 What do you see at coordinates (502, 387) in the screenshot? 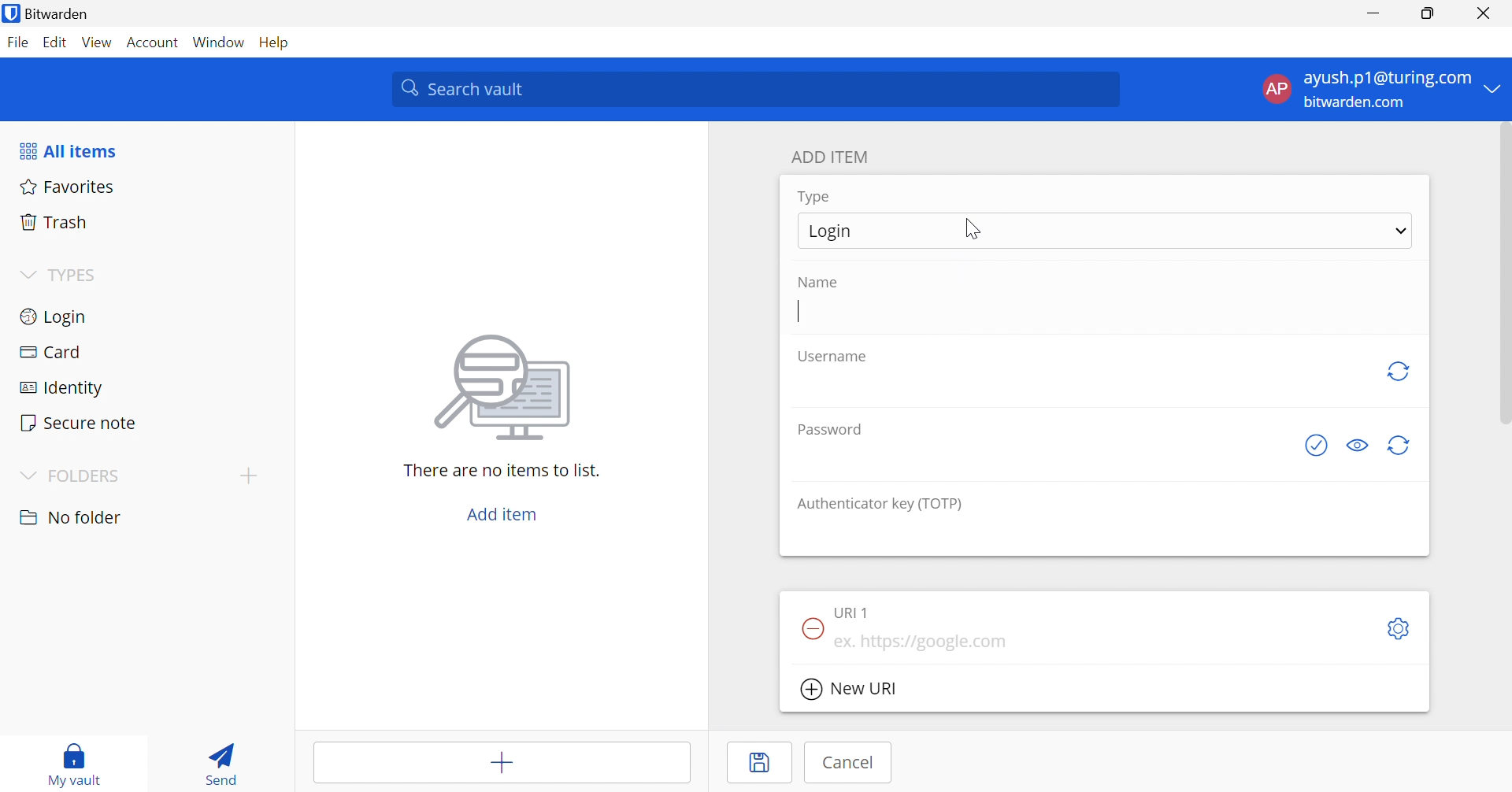
I see `image` at bounding box center [502, 387].